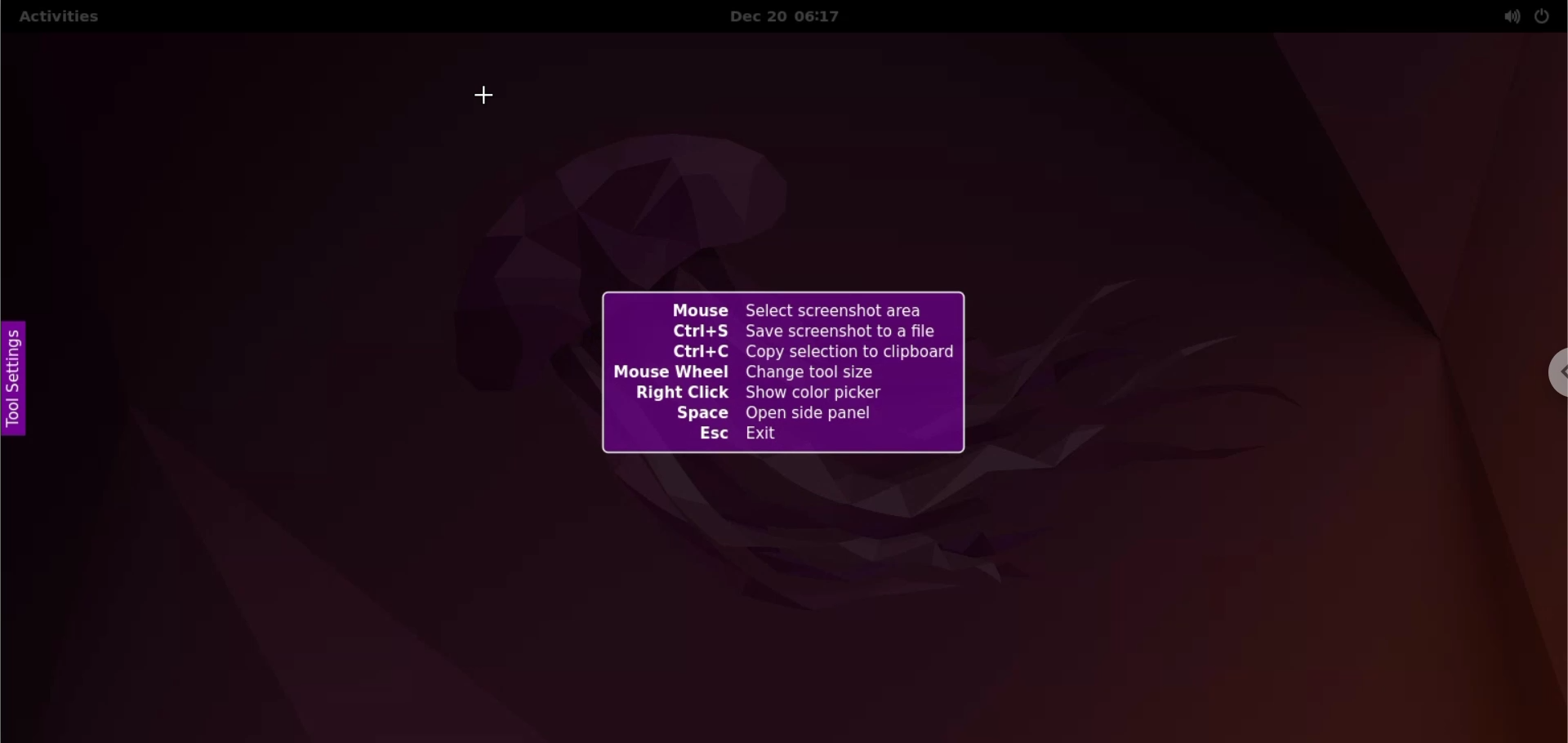 This screenshot has height=743, width=1568. Describe the element at coordinates (778, 372) in the screenshot. I see `Mouse Select screenshot area Ctrl+S Save screenshot to a file Ctrl+C Copy selection to clipboard Mouse Wheel Change tool size Right Click Show color picker Space Open side panel Esc Exit` at that location.